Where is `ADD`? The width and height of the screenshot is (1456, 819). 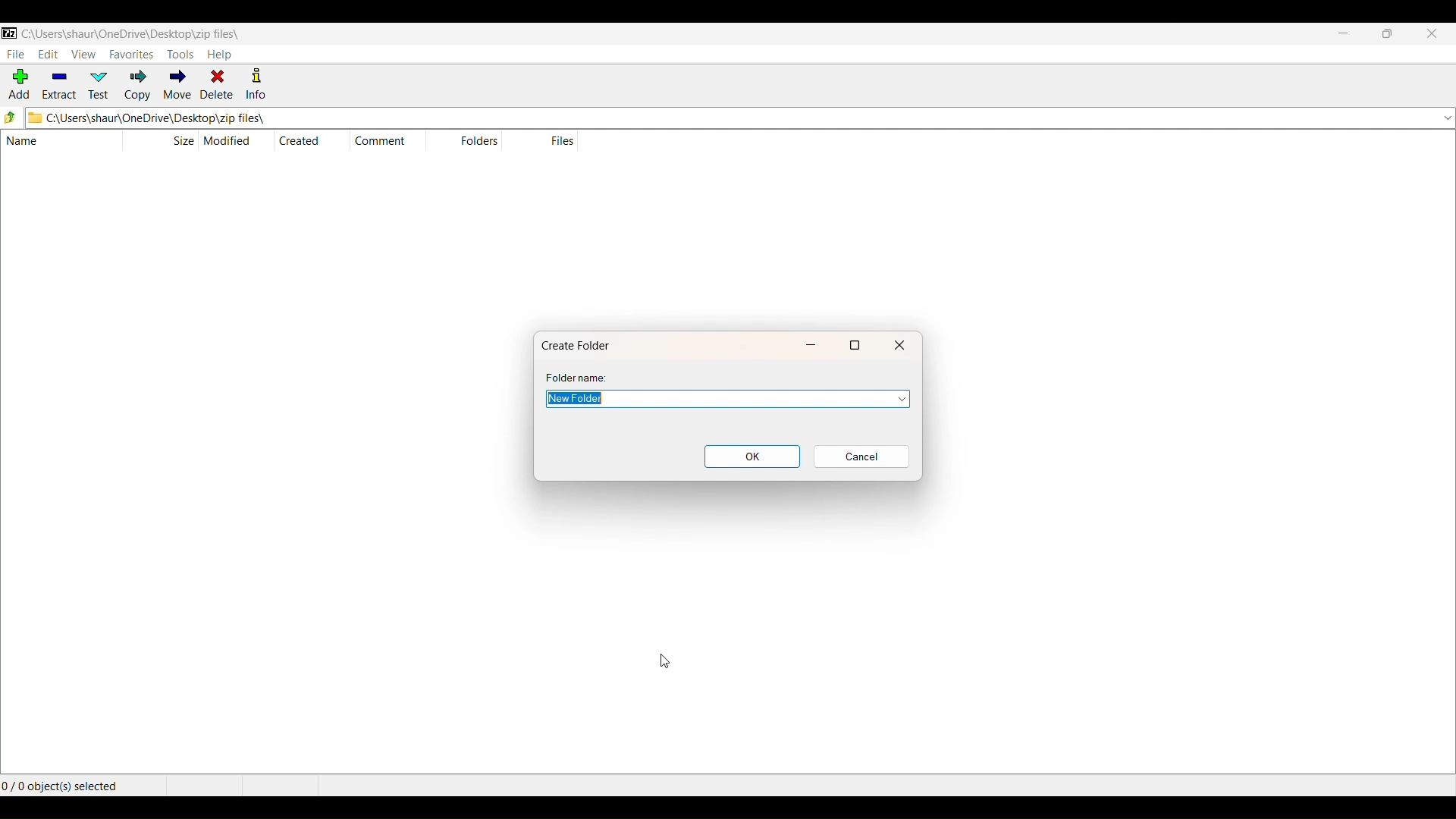 ADD is located at coordinates (17, 86).